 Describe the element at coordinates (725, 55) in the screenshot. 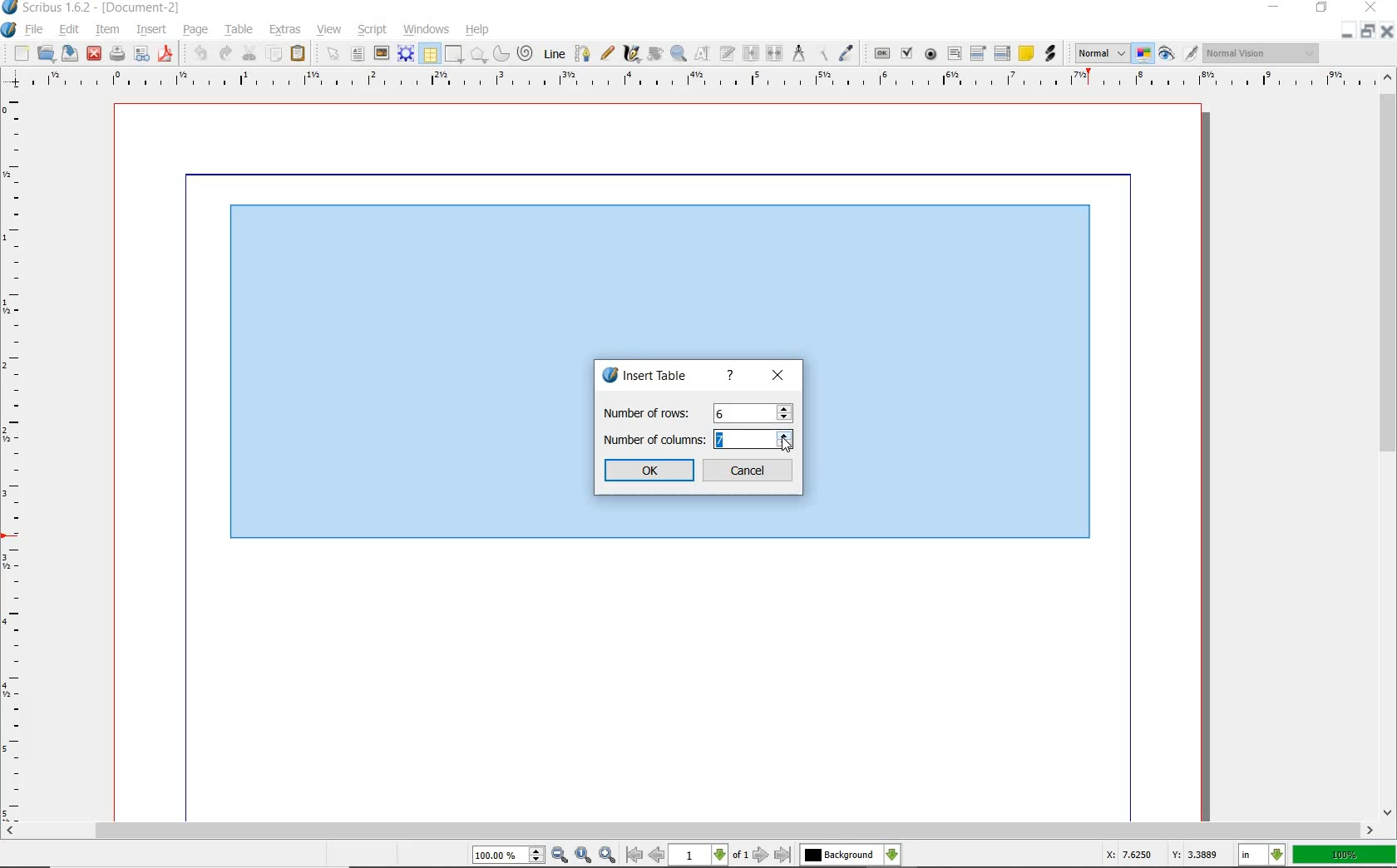

I see `edit frame with story editor` at that location.